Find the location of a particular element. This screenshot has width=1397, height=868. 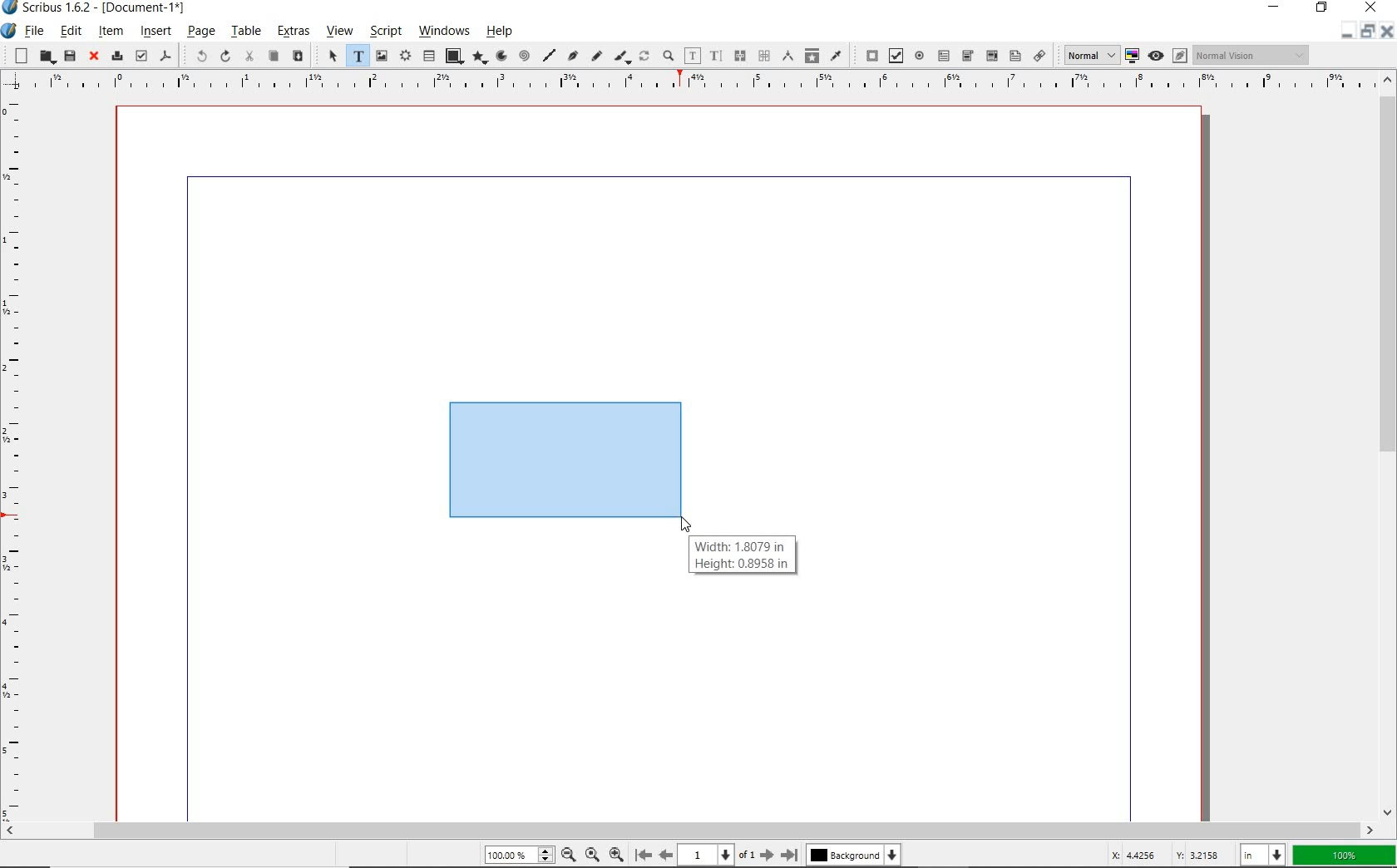

table is located at coordinates (246, 32).